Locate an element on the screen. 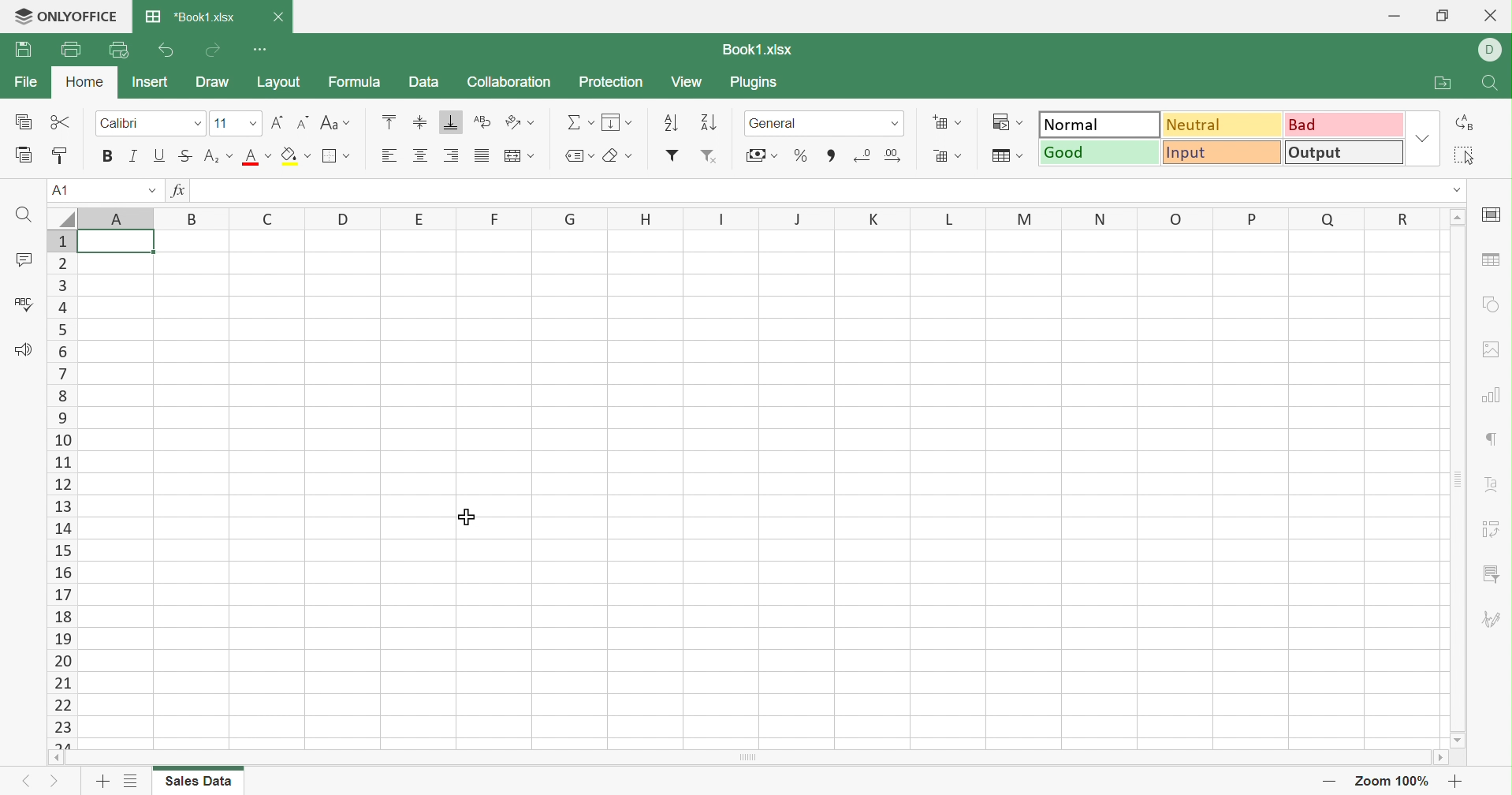 The height and width of the screenshot is (795, 1512). Pivot Table settings is located at coordinates (1492, 529).